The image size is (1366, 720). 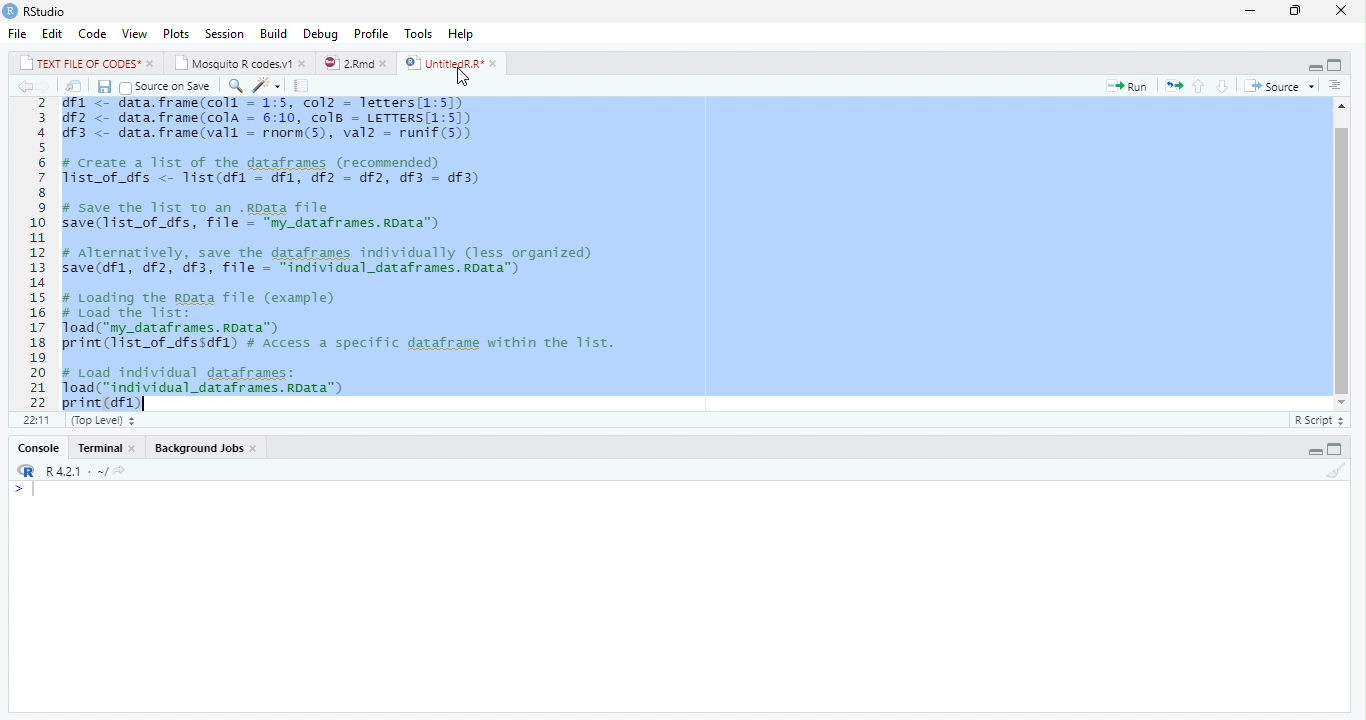 What do you see at coordinates (463, 78) in the screenshot?
I see `Mouse Cursor` at bounding box center [463, 78].